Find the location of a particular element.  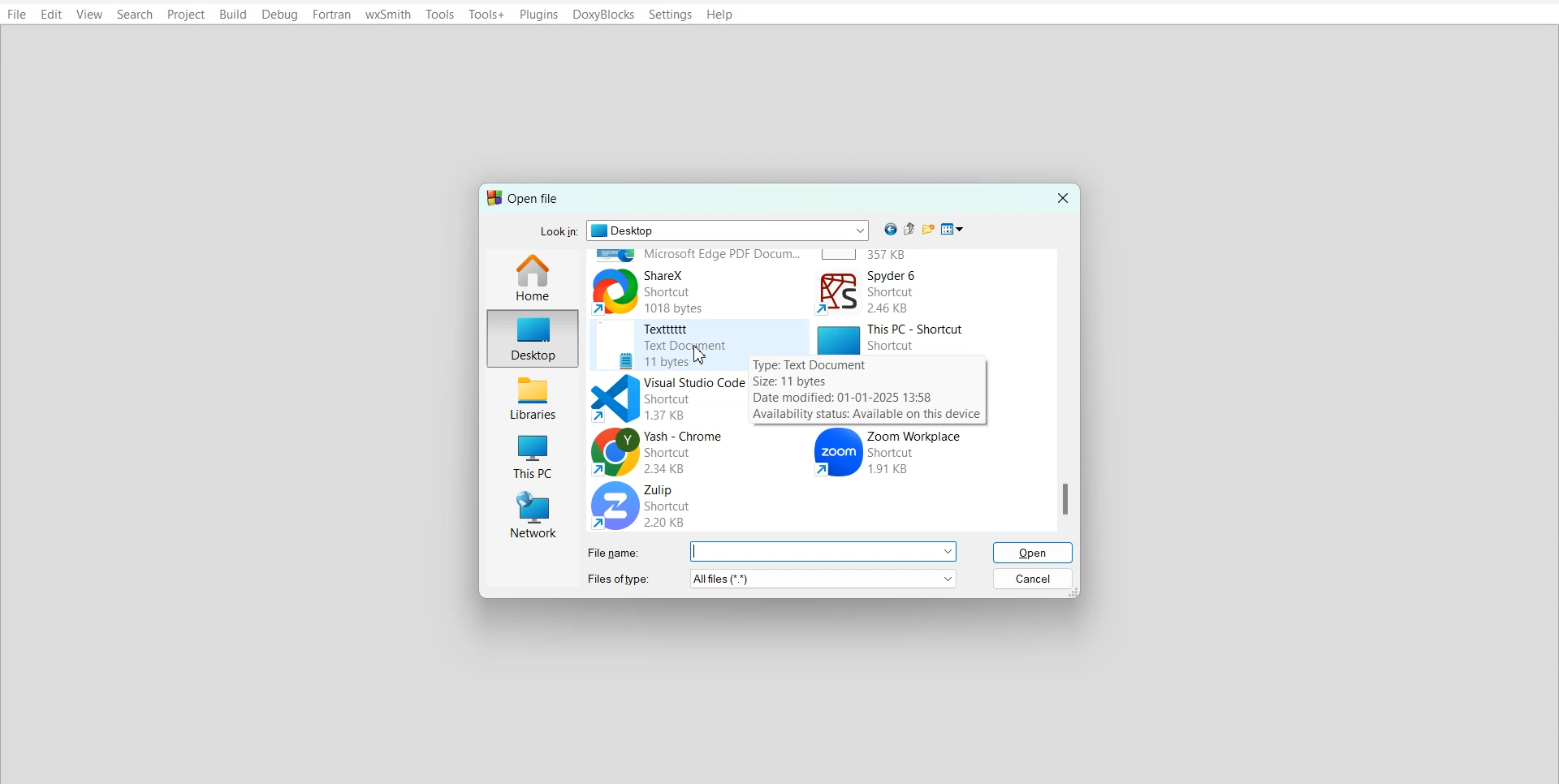

wxSmith is located at coordinates (389, 14).